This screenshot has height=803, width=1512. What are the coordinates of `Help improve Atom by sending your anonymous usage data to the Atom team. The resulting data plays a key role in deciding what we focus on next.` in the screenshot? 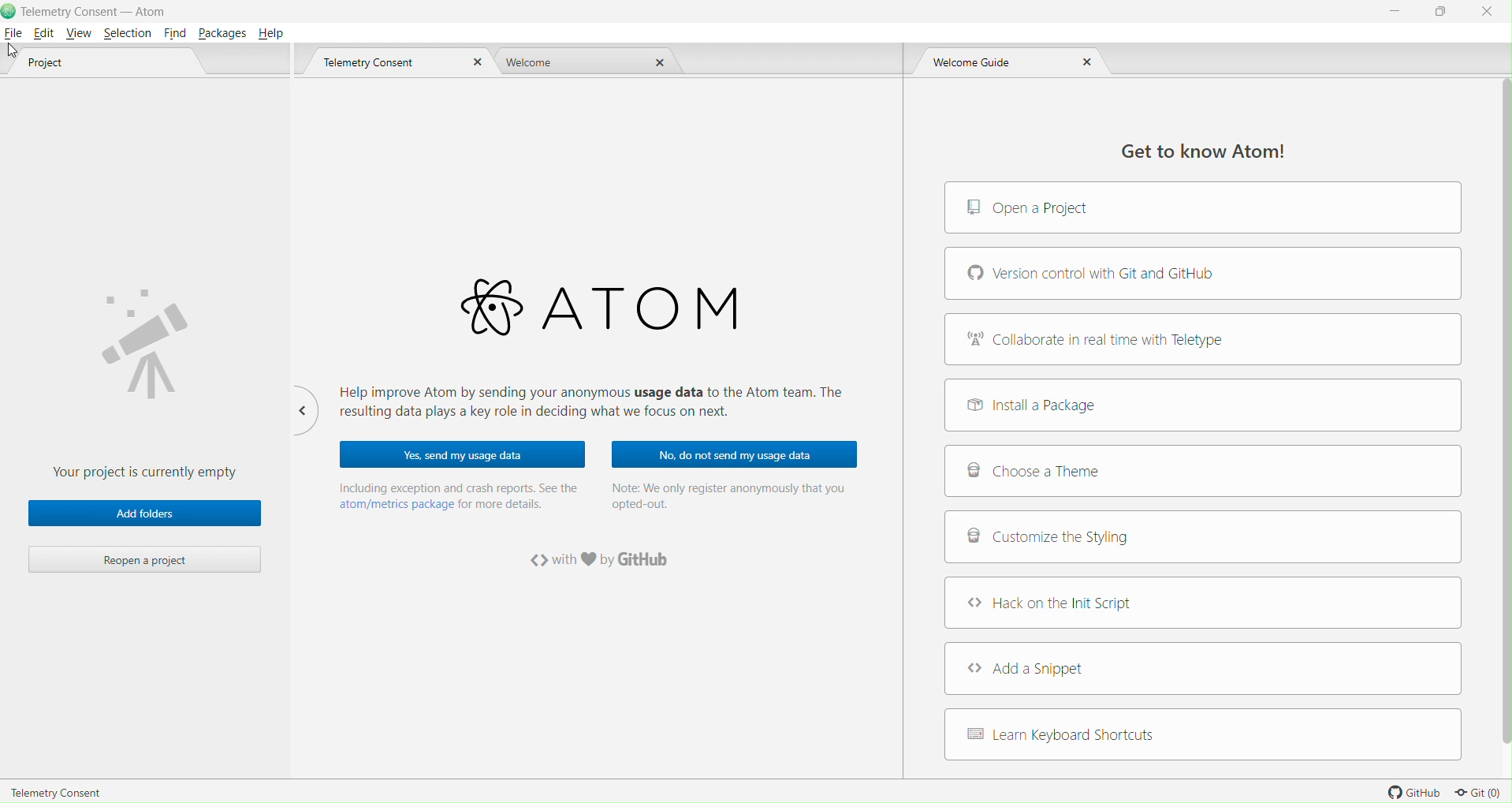 It's located at (602, 404).